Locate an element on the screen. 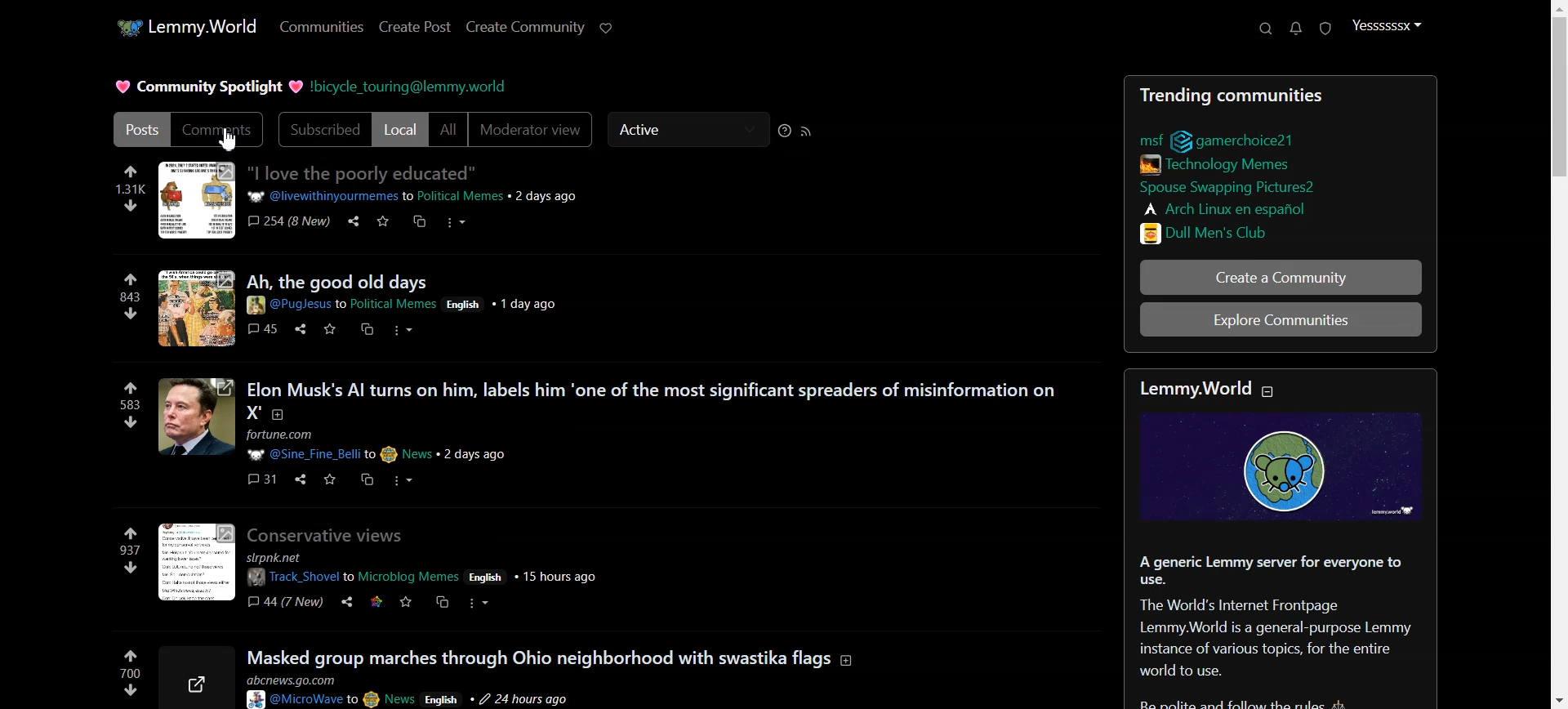  upvote is located at coordinates (129, 528).